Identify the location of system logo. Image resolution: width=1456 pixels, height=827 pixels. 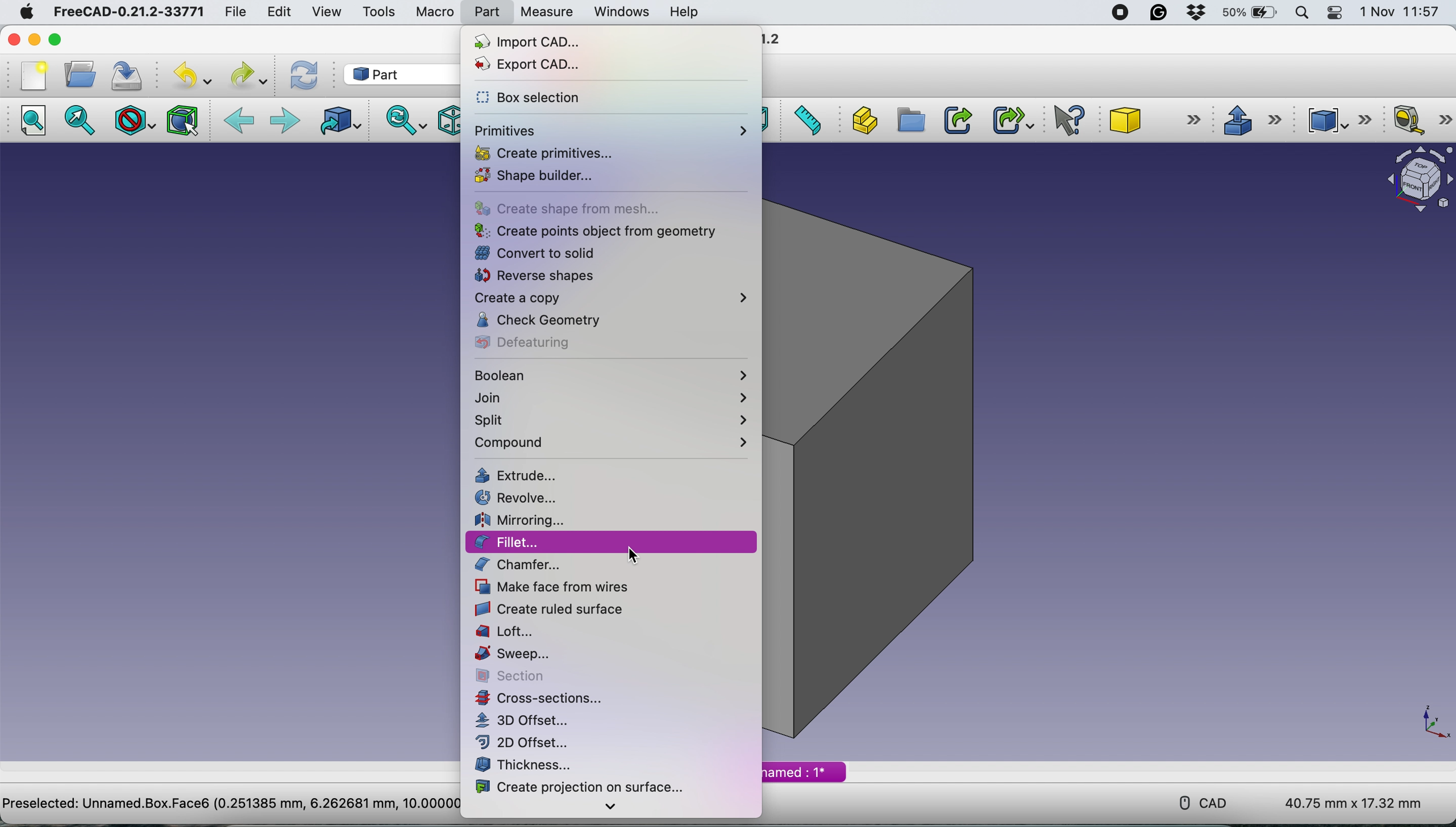
(26, 14).